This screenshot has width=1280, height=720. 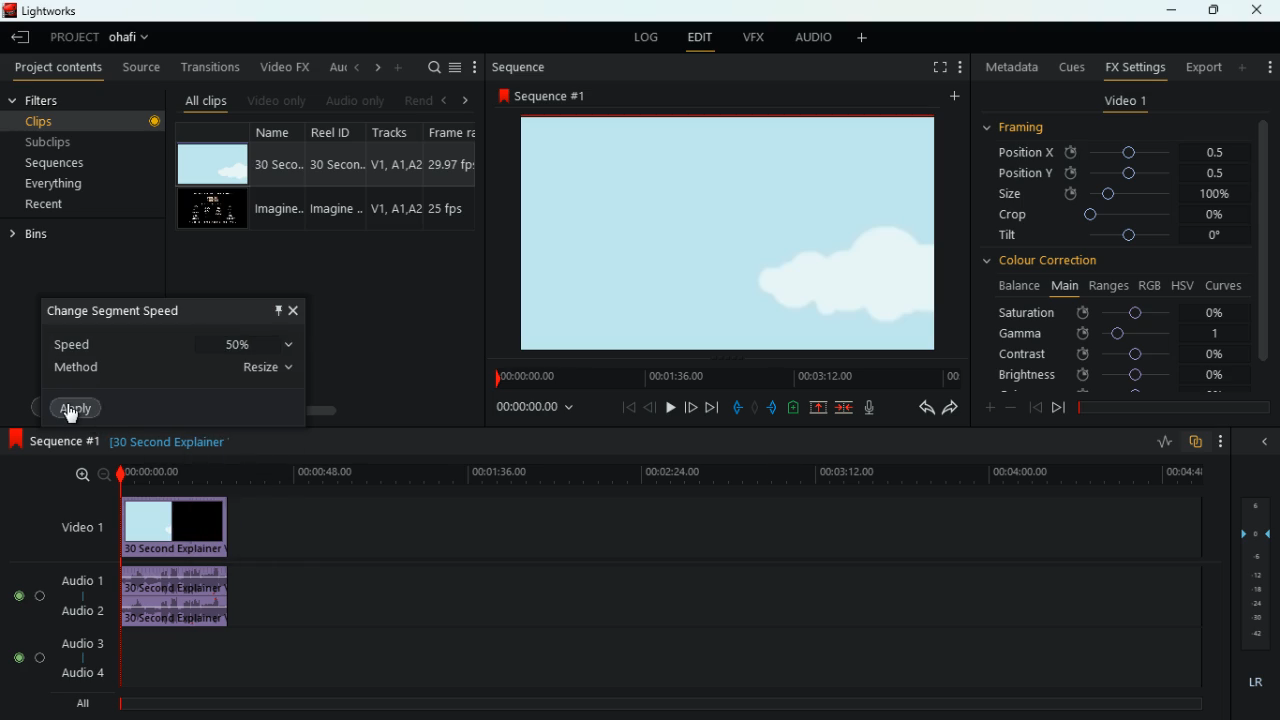 I want to click on method, so click(x=173, y=368).